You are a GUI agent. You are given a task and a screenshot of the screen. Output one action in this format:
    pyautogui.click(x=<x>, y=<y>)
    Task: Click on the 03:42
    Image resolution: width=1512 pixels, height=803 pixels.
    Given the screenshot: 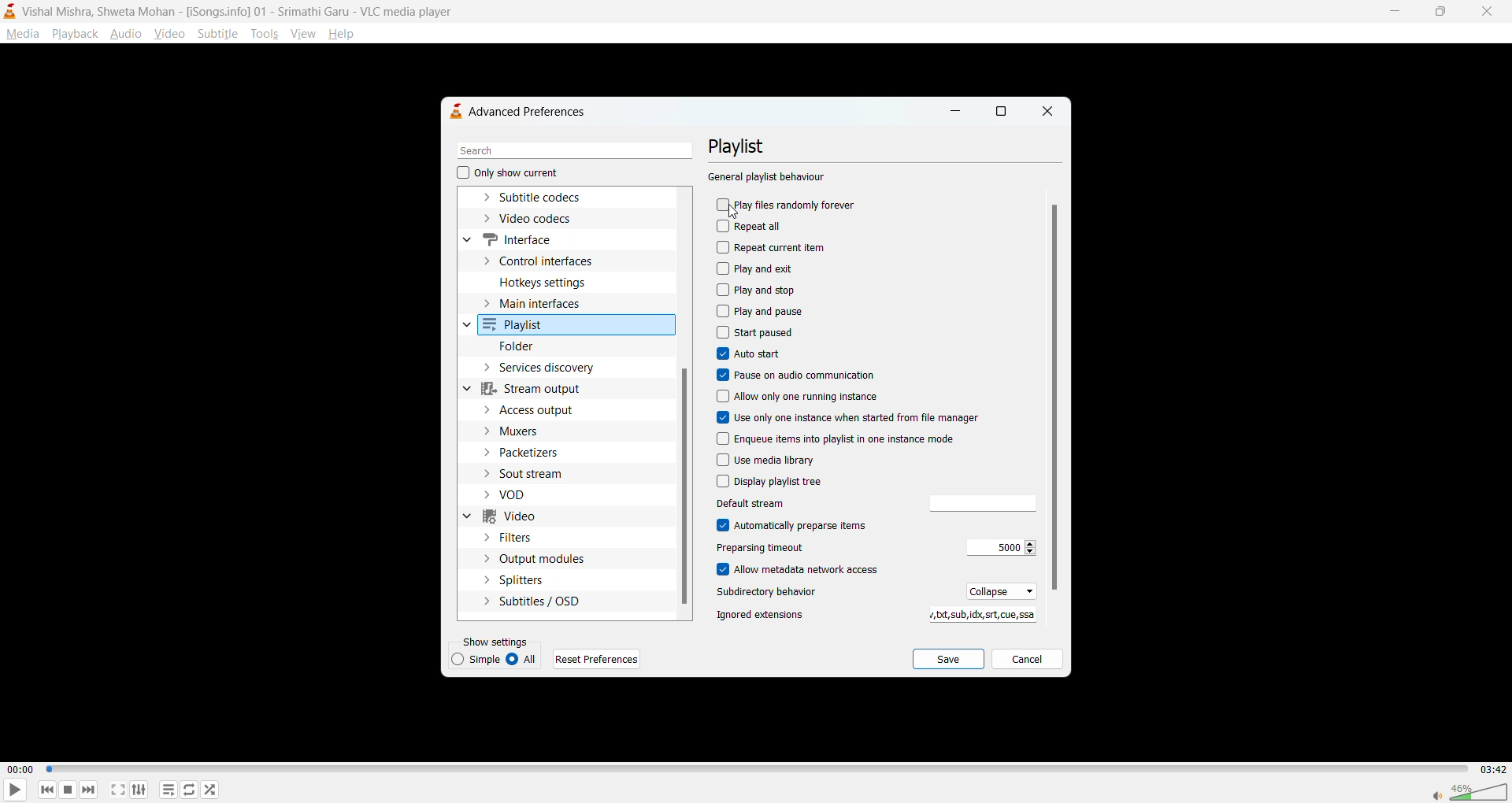 What is the action you would take?
    pyautogui.click(x=1490, y=769)
    